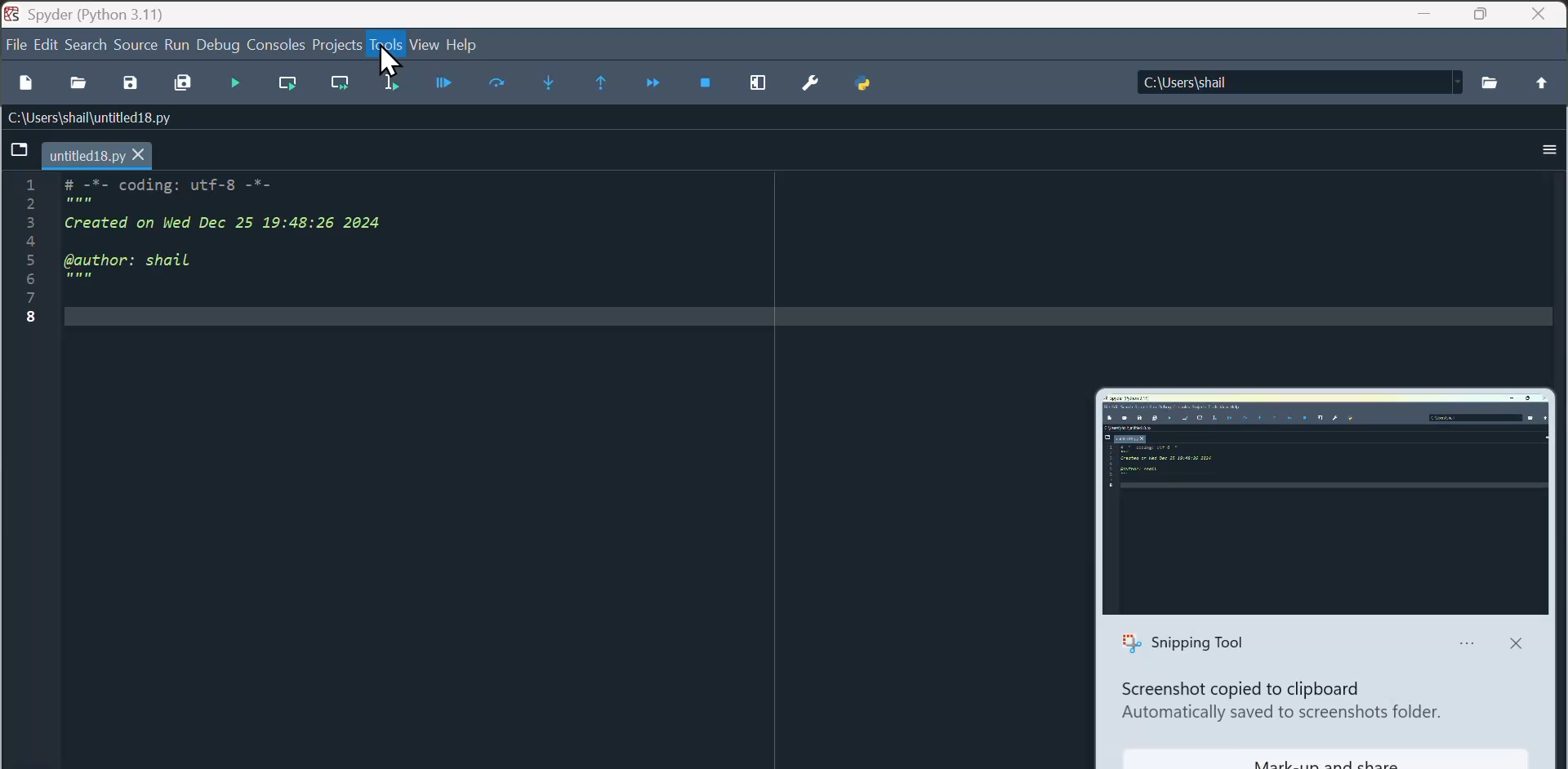 The width and height of the screenshot is (1568, 769). What do you see at coordinates (810, 84) in the screenshot?
I see `Preferences` at bounding box center [810, 84].